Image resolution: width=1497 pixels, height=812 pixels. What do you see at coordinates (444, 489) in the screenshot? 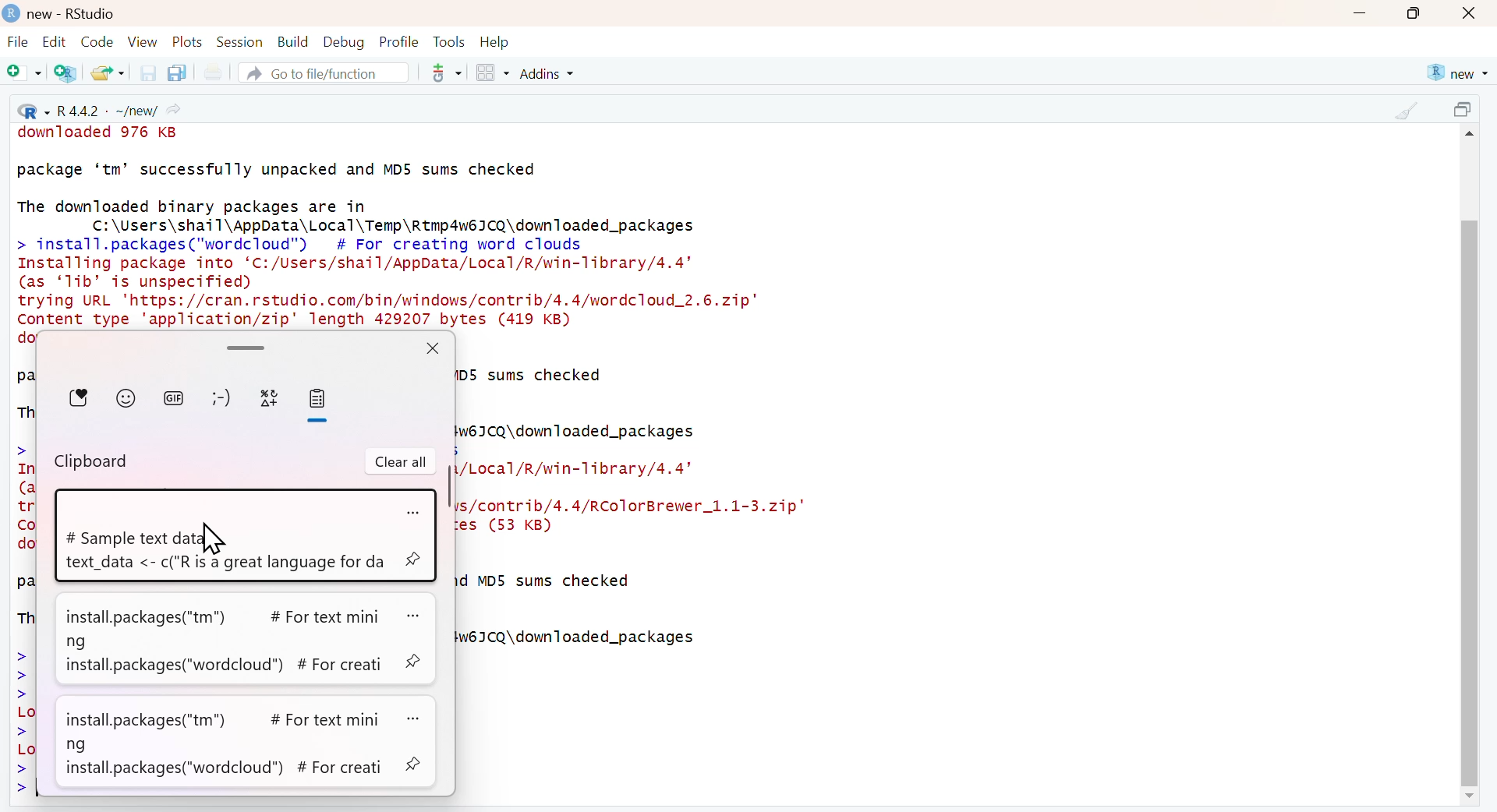
I see `scroll bar` at bounding box center [444, 489].